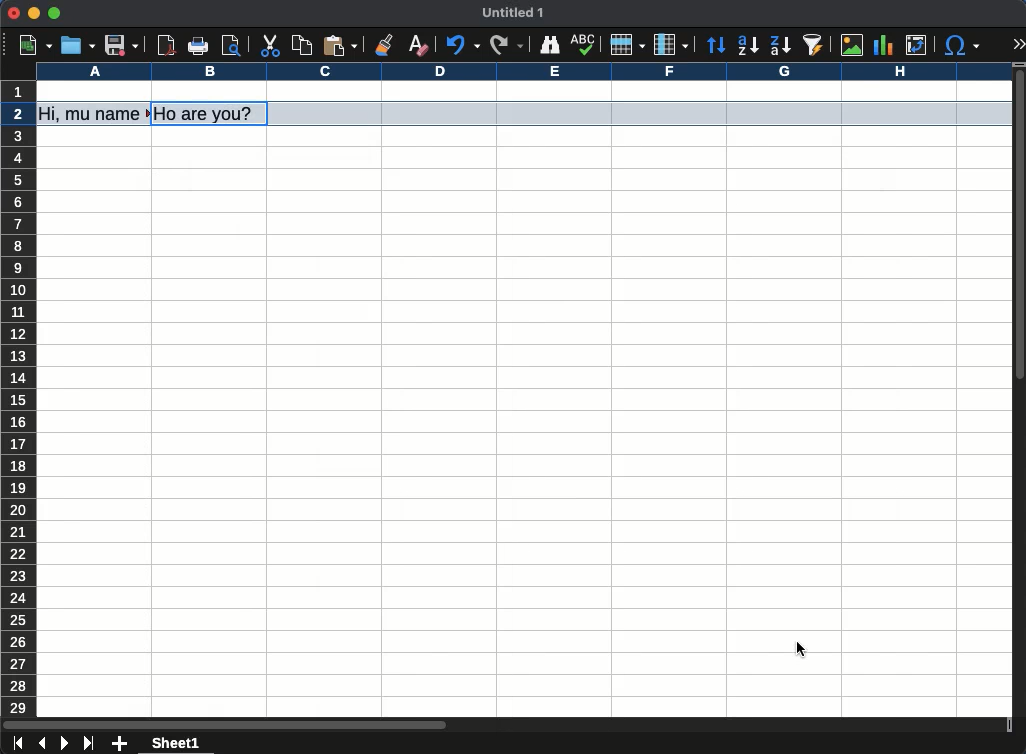 The height and width of the screenshot is (754, 1026). What do you see at coordinates (748, 45) in the screenshot?
I see `ascending` at bounding box center [748, 45].